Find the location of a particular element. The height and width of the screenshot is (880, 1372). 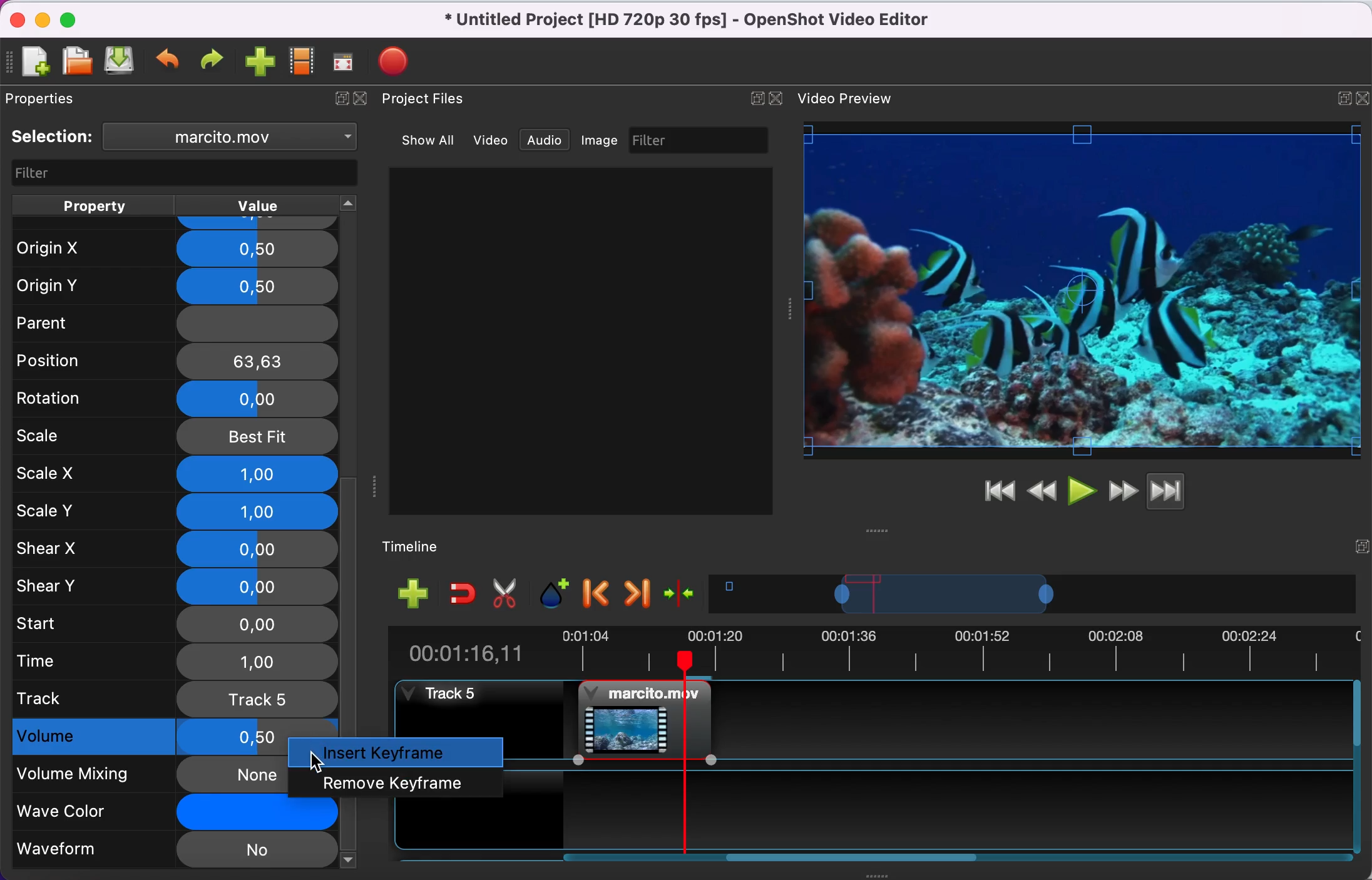

volume mixing none is located at coordinates (155, 774).